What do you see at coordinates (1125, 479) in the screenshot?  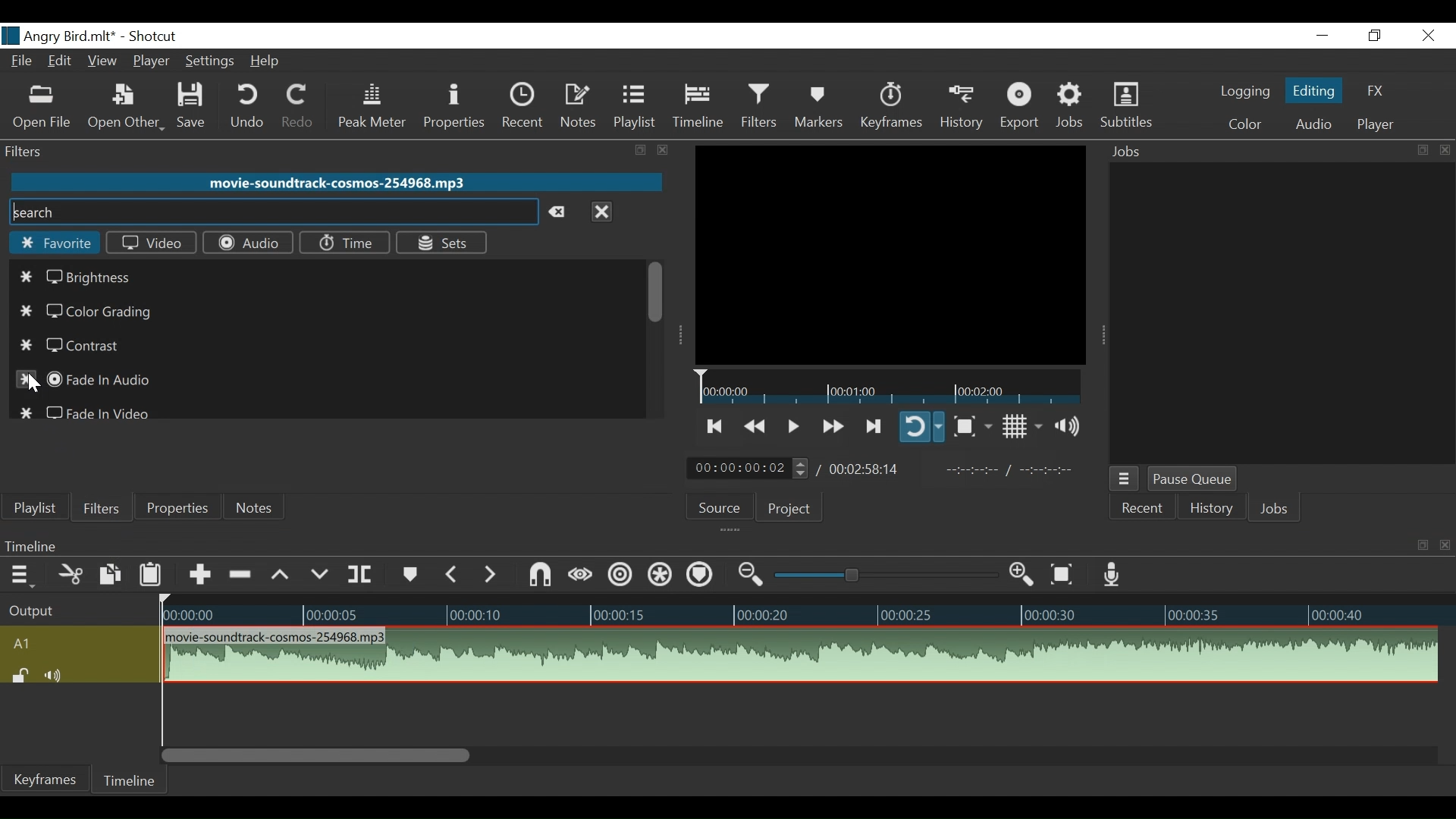 I see `Jobs menu` at bounding box center [1125, 479].